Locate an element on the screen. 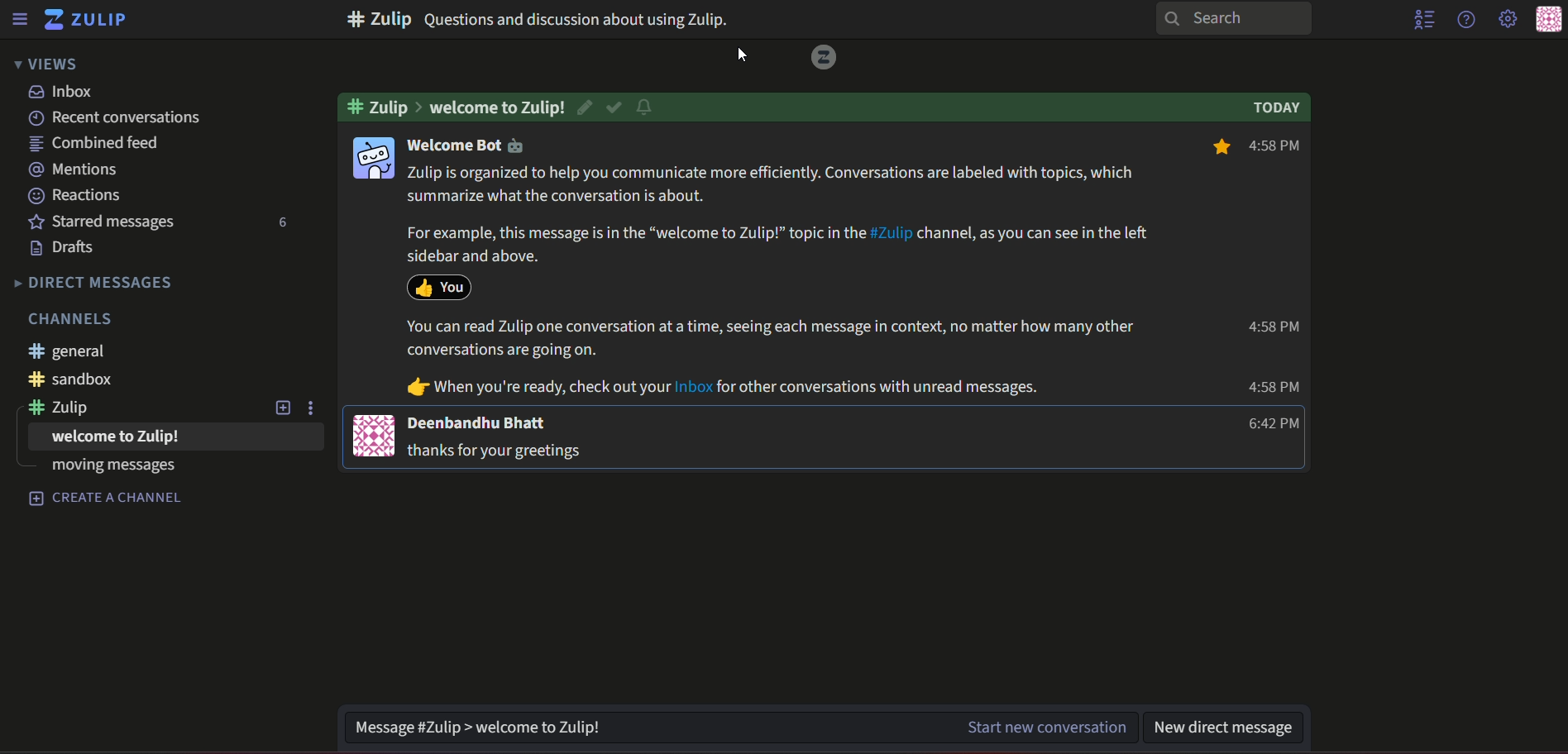  4:58 PM is located at coordinates (1274, 330).